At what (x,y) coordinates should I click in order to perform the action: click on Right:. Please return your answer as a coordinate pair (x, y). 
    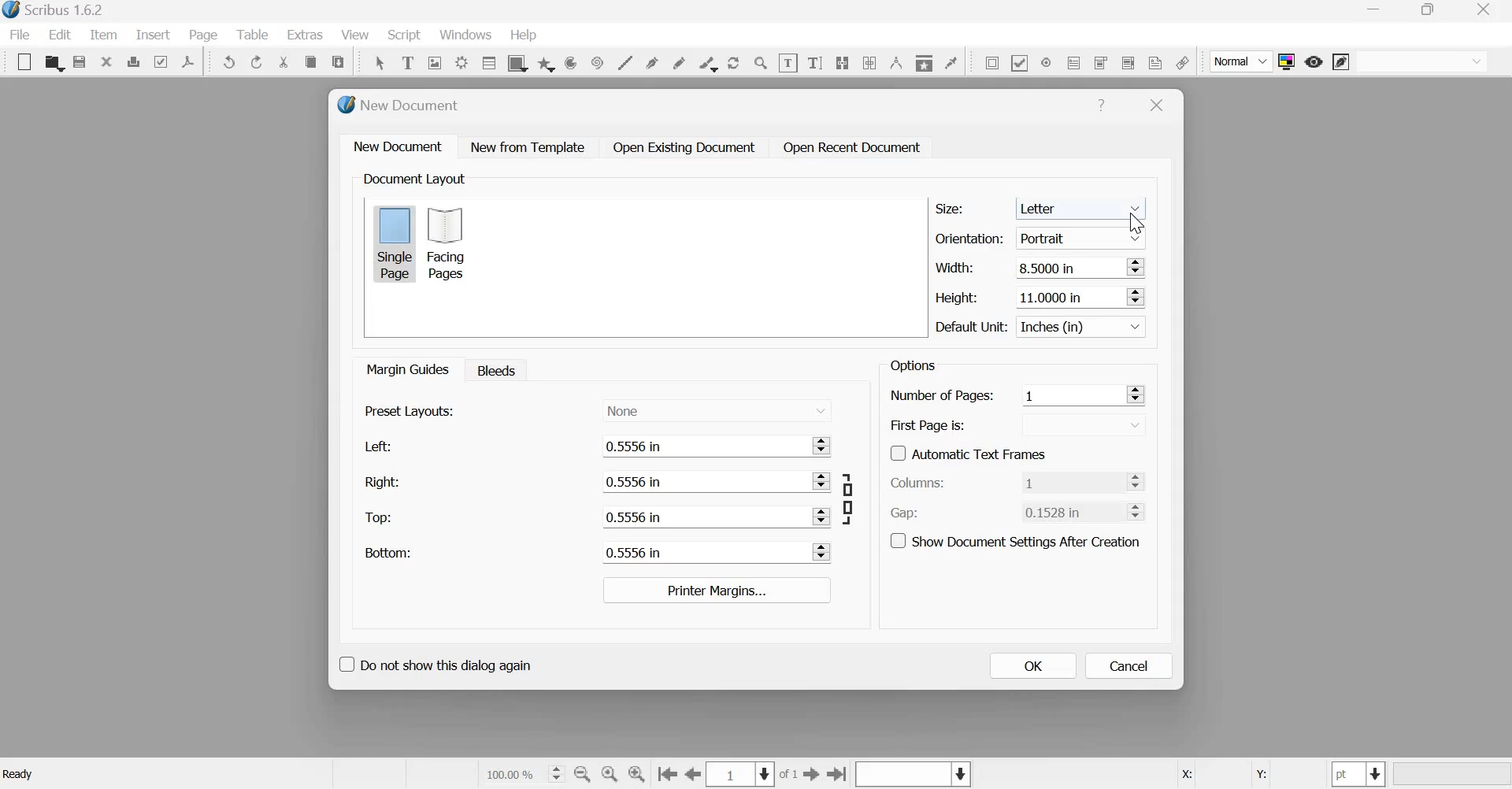
    Looking at the image, I should click on (381, 481).